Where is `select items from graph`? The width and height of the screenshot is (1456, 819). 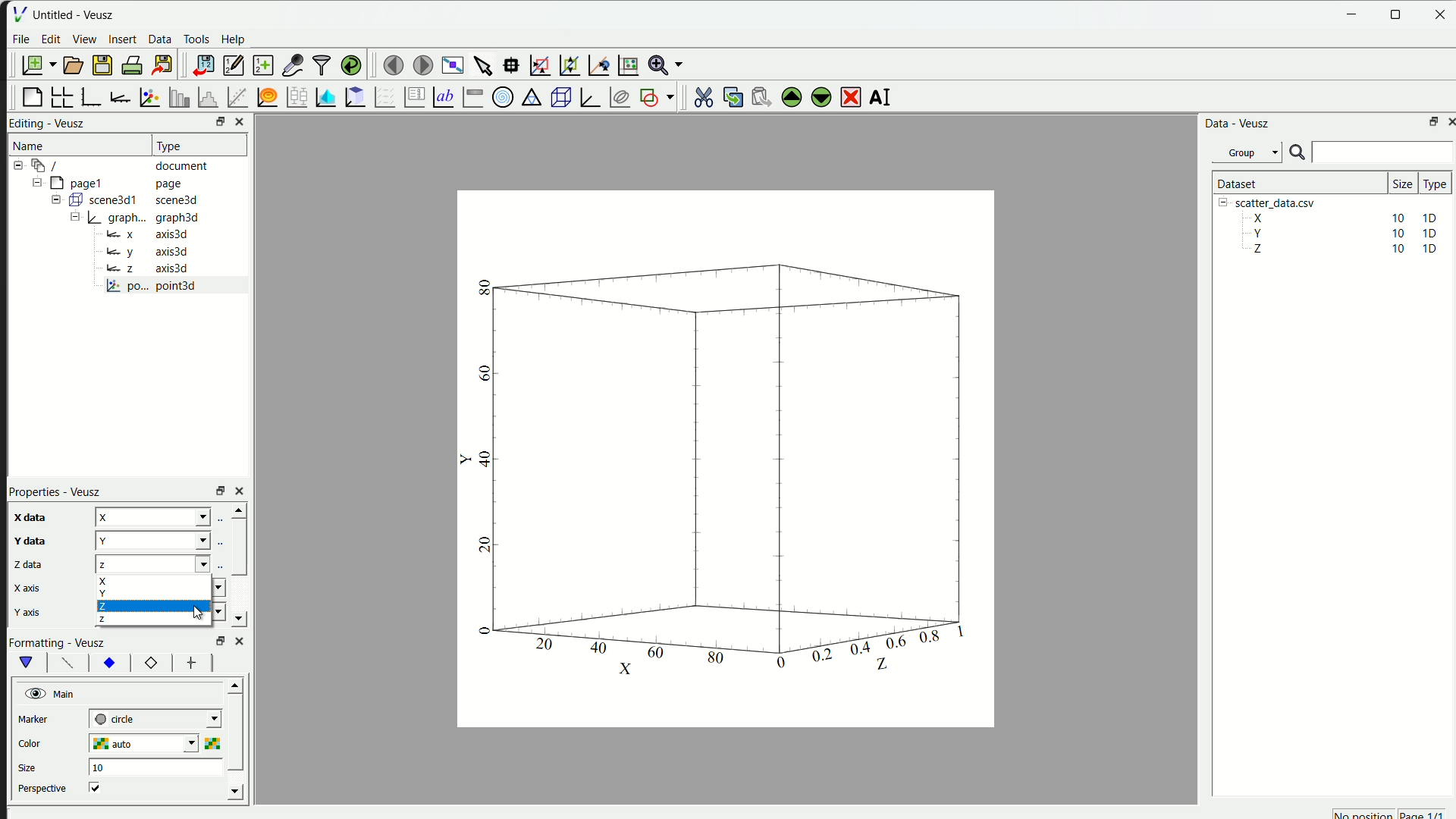 select items from graph is located at coordinates (482, 63).